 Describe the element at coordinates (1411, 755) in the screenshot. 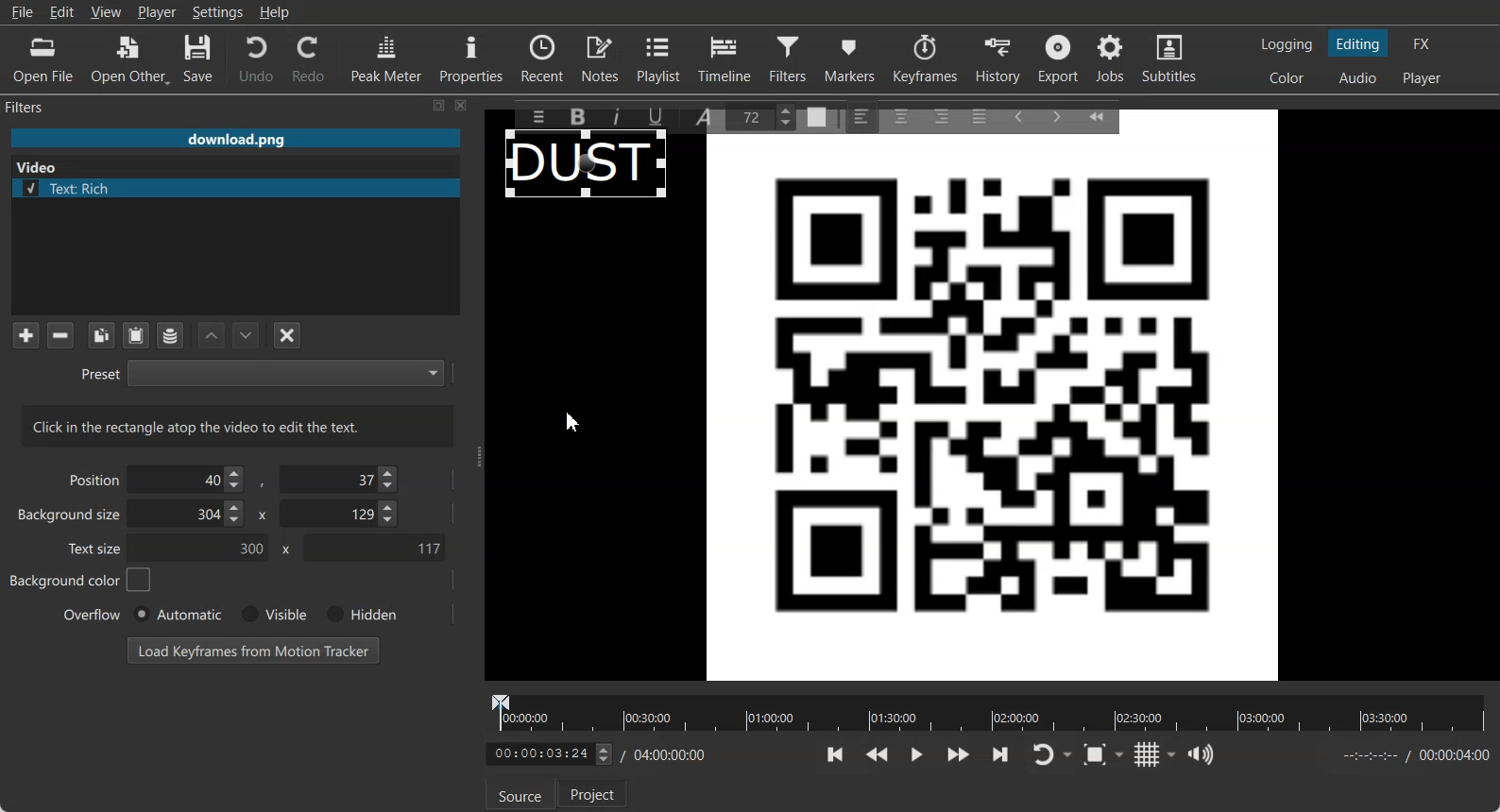

I see `End time ` at that location.